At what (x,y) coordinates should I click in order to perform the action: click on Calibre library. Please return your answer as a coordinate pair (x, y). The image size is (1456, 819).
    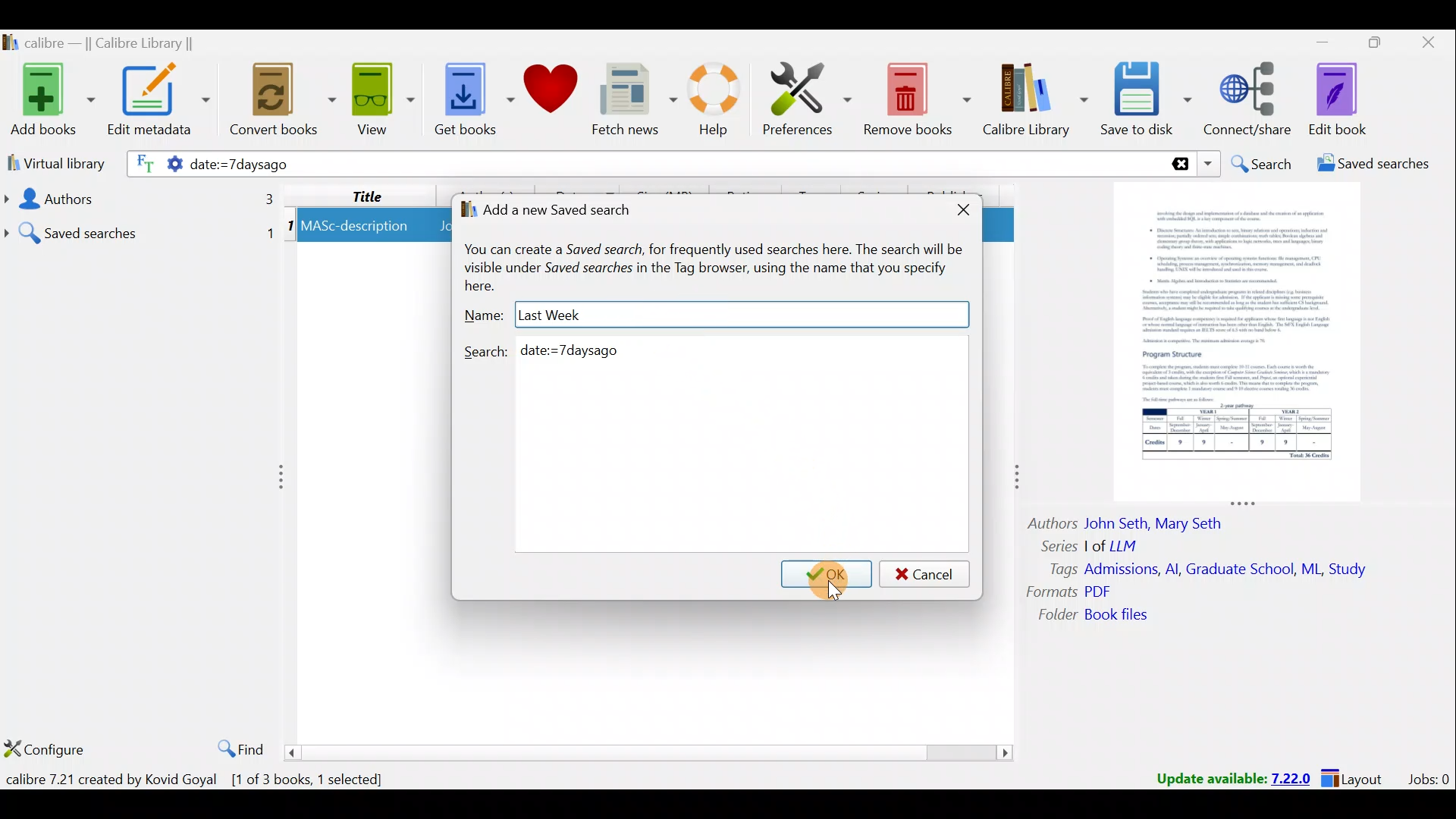
    Looking at the image, I should click on (1037, 101).